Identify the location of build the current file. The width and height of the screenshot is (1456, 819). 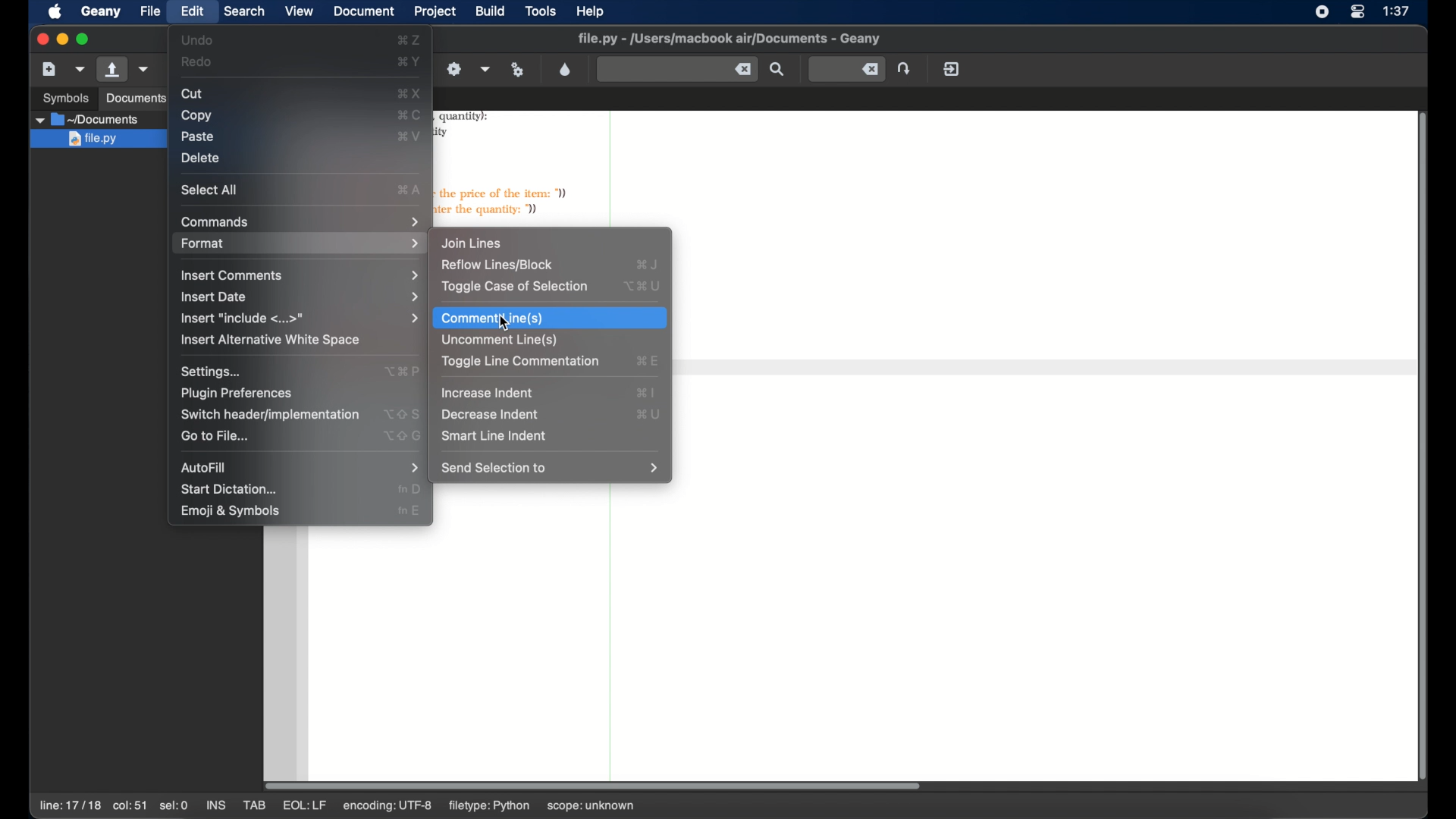
(455, 68).